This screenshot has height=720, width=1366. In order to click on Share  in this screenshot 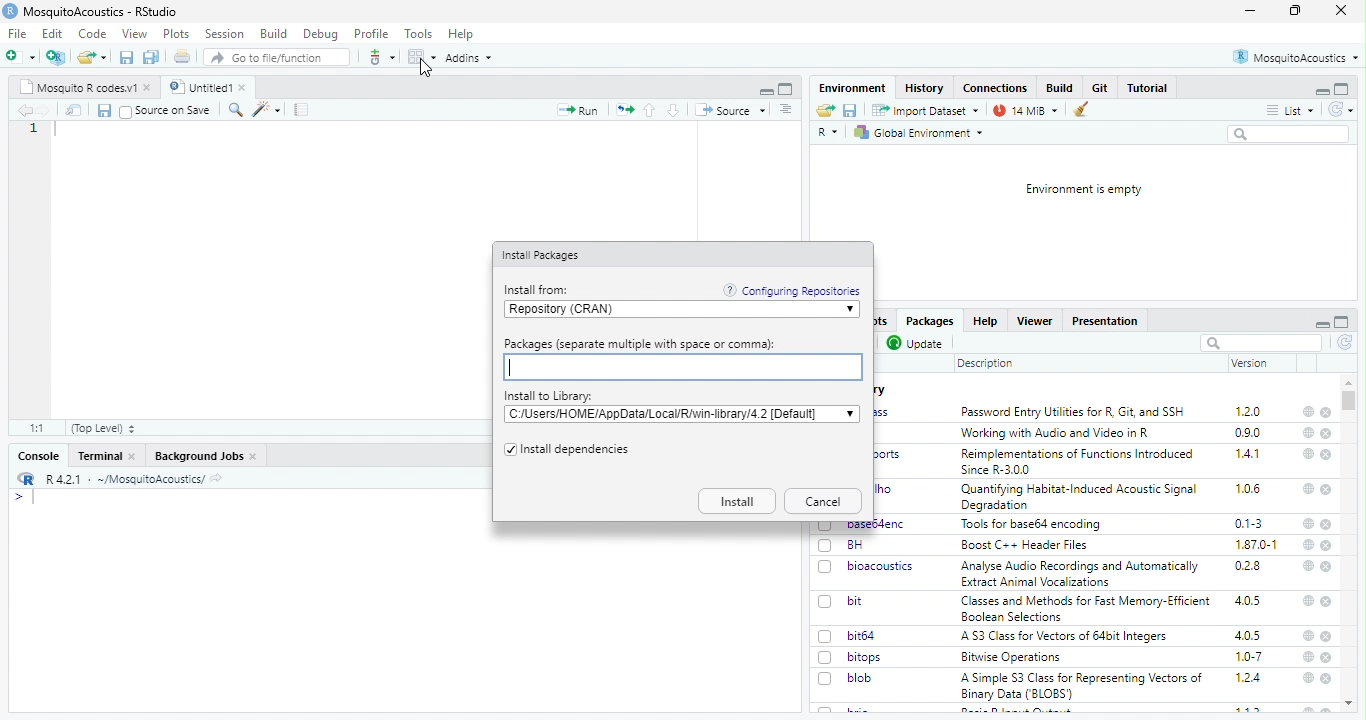, I will do `click(74, 110)`.